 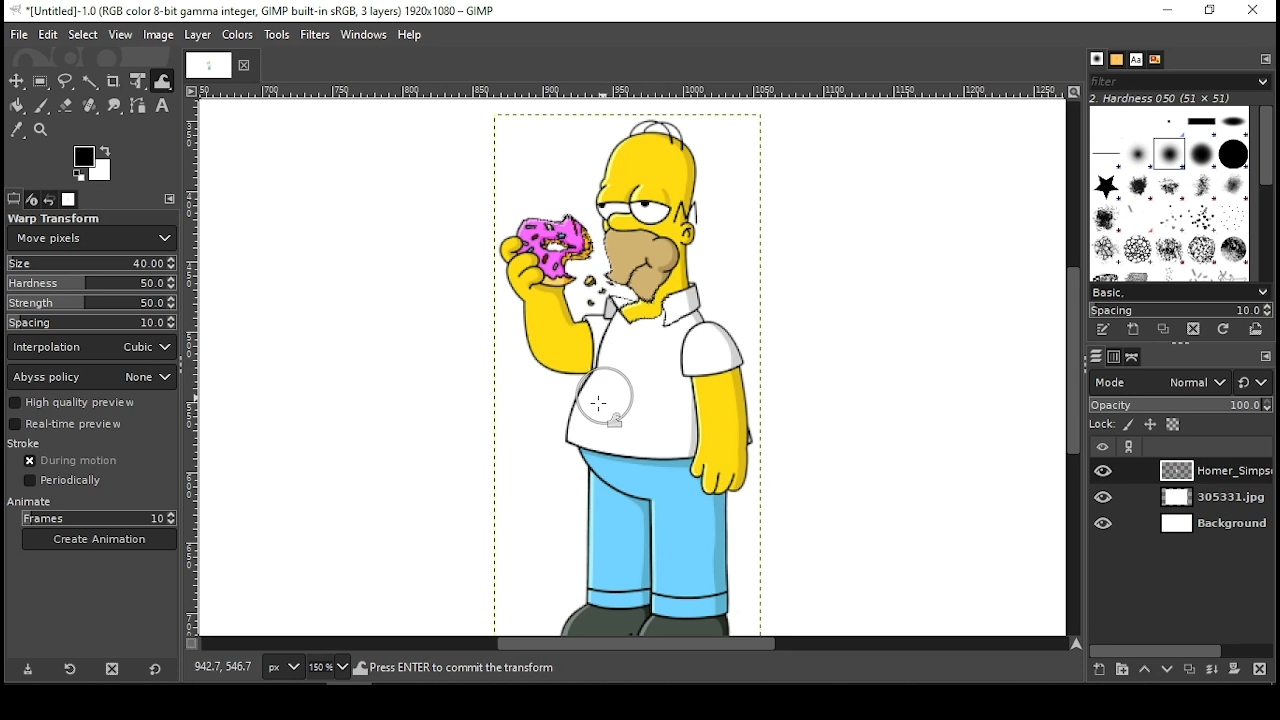 I want to click on spacing, so click(x=1180, y=309).